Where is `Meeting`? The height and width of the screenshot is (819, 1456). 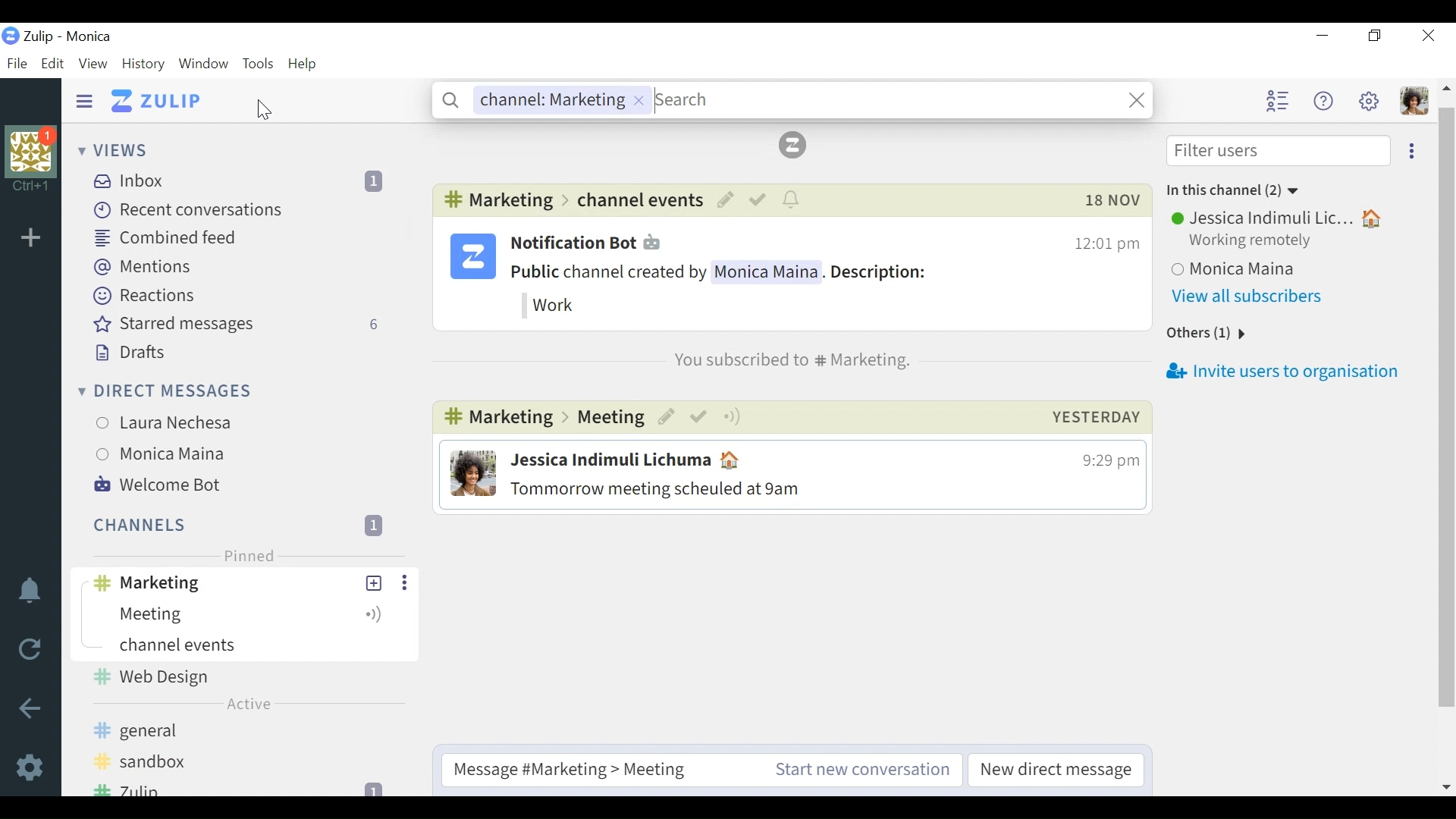 Meeting is located at coordinates (615, 419).